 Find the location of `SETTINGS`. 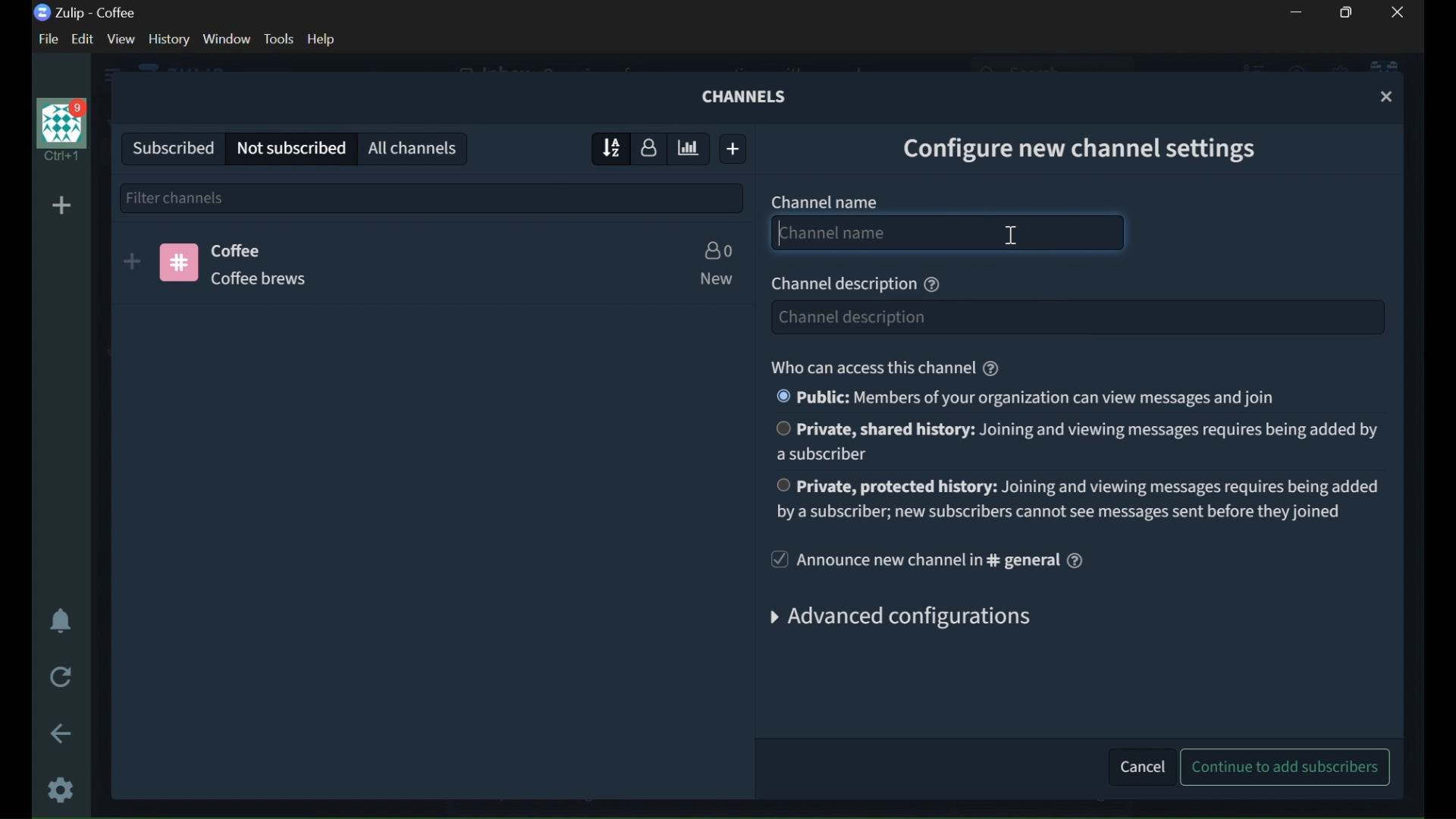

SETTINGS is located at coordinates (62, 789).